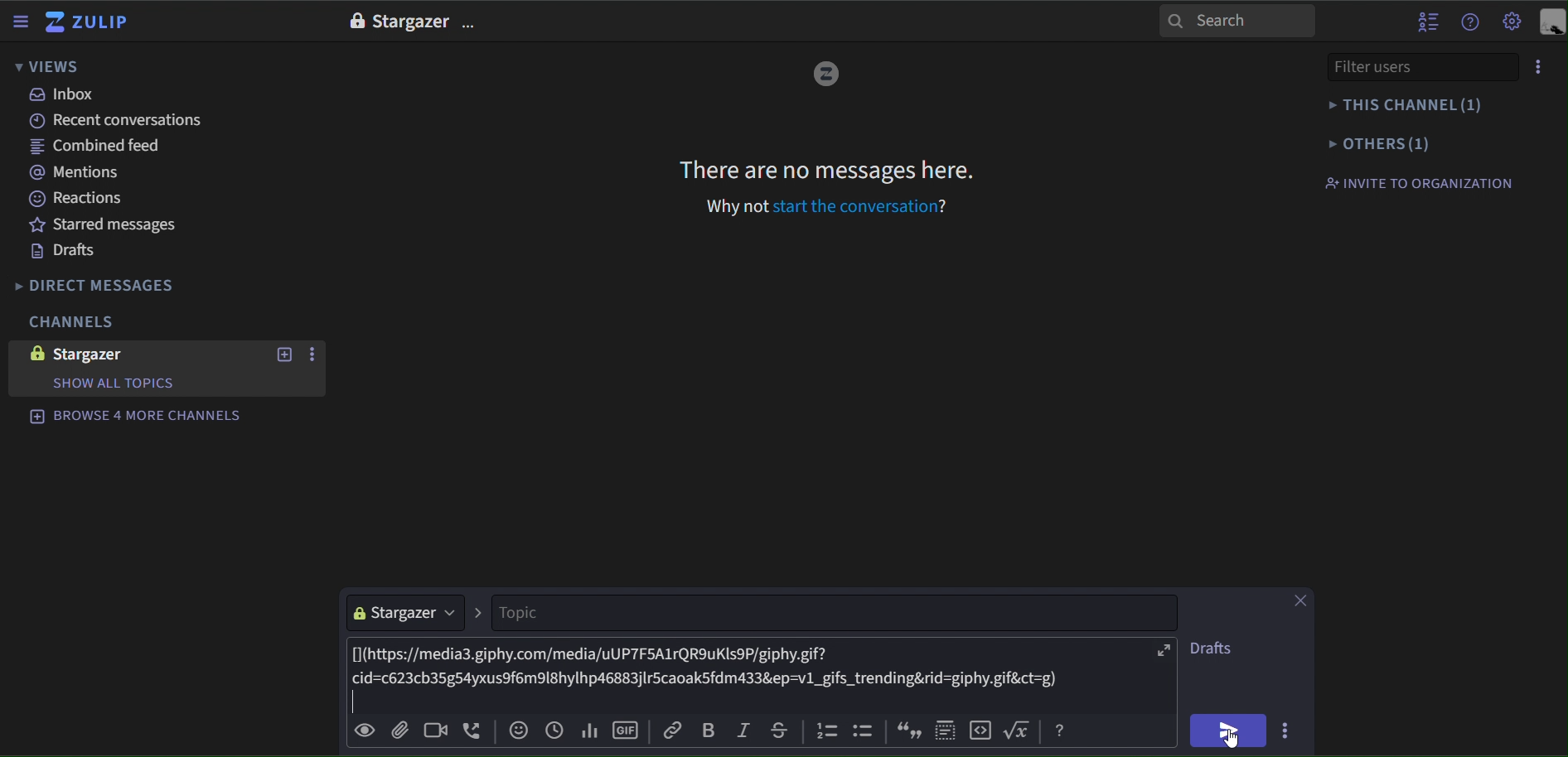 This screenshot has width=1568, height=757. Describe the element at coordinates (946, 727) in the screenshot. I see `icon` at that location.